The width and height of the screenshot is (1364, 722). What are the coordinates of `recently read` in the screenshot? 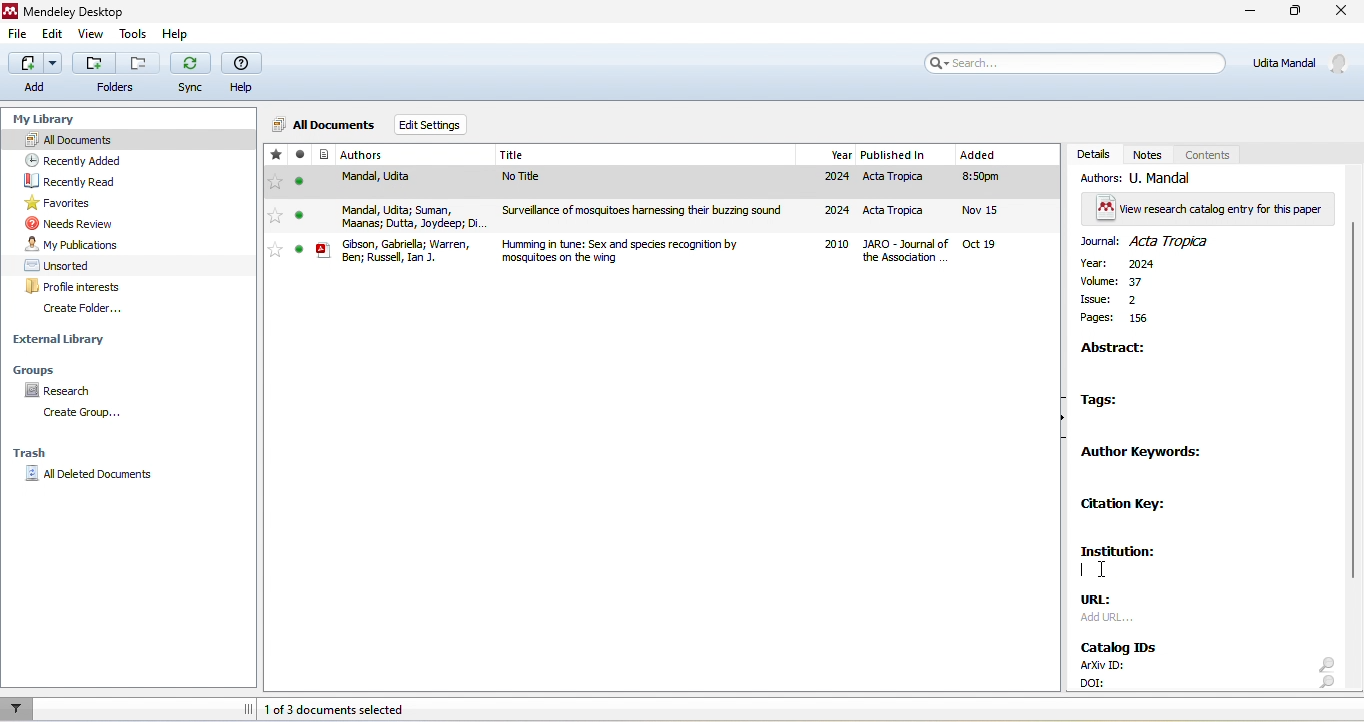 It's located at (90, 181).